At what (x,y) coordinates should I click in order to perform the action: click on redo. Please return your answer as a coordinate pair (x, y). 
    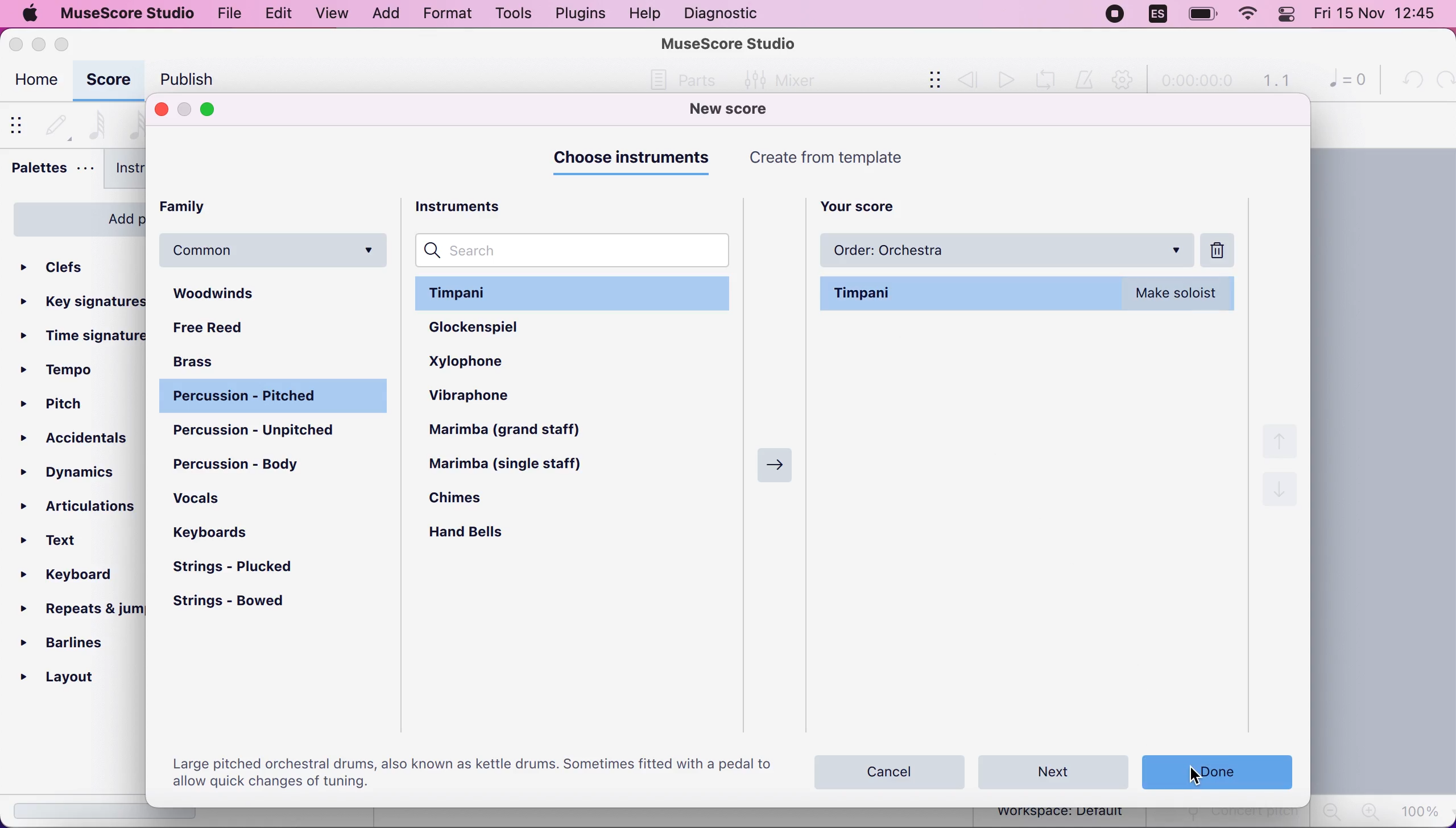
    Looking at the image, I should click on (1442, 80).